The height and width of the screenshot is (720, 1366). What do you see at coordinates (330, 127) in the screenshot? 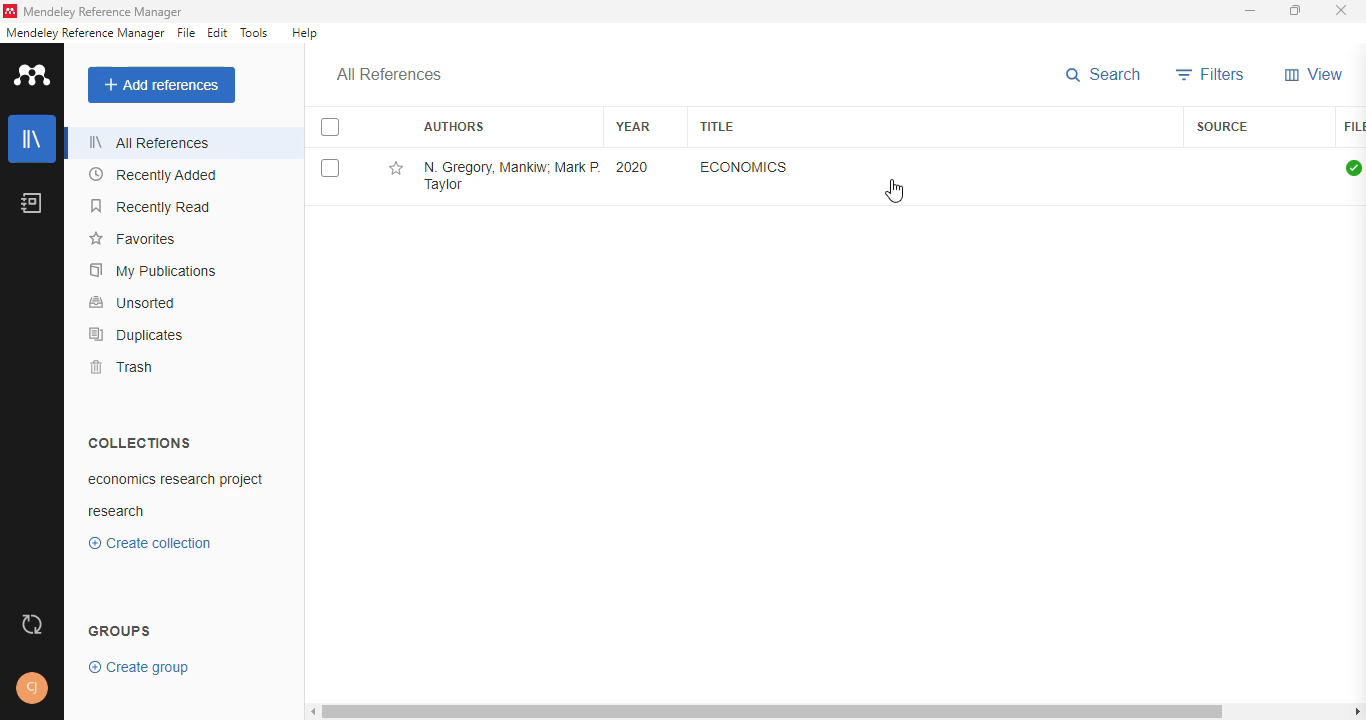
I see `select` at bounding box center [330, 127].